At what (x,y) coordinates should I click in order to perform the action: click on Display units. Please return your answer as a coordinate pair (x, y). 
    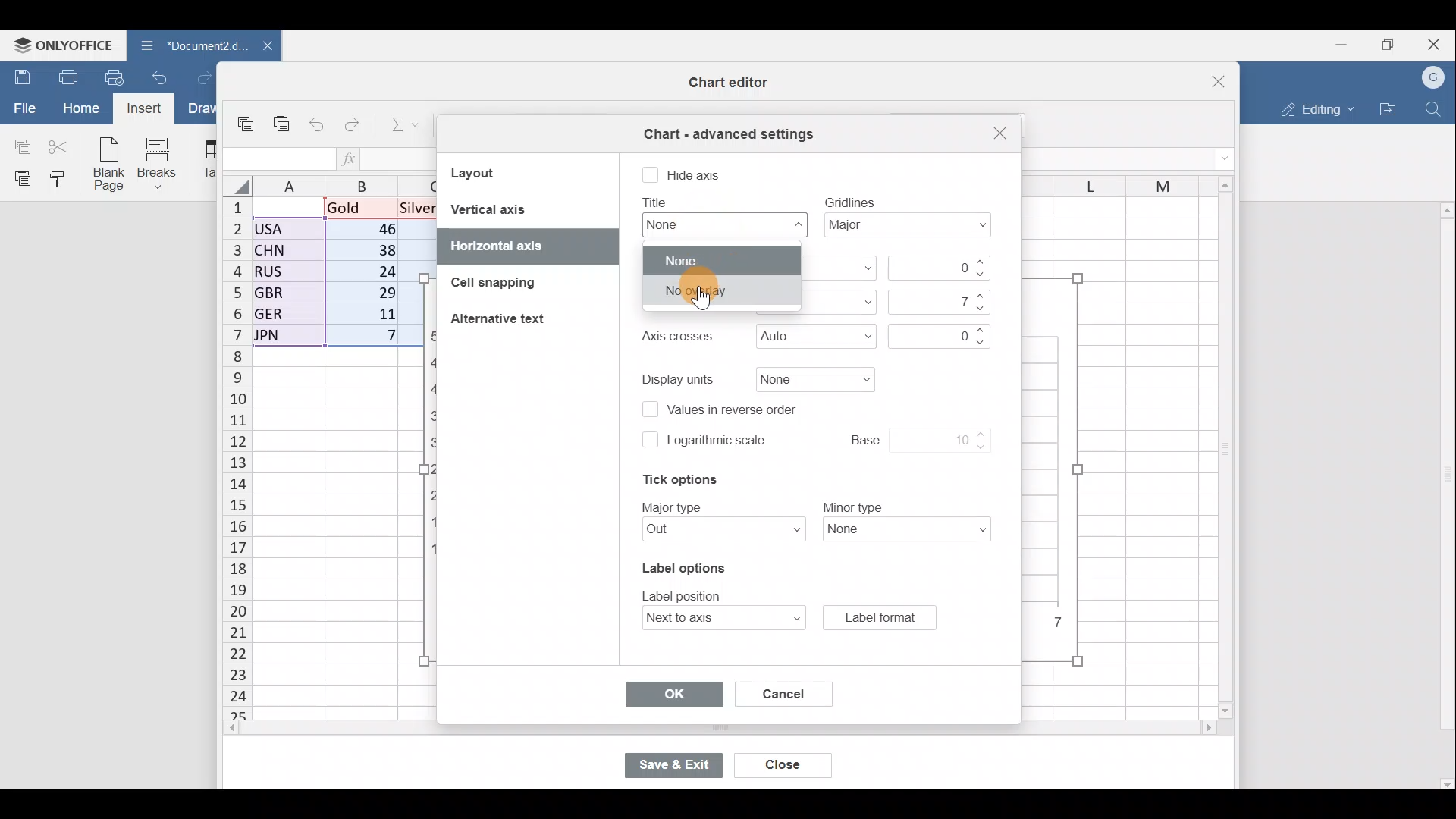
    Looking at the image, I should click on (811, 380).